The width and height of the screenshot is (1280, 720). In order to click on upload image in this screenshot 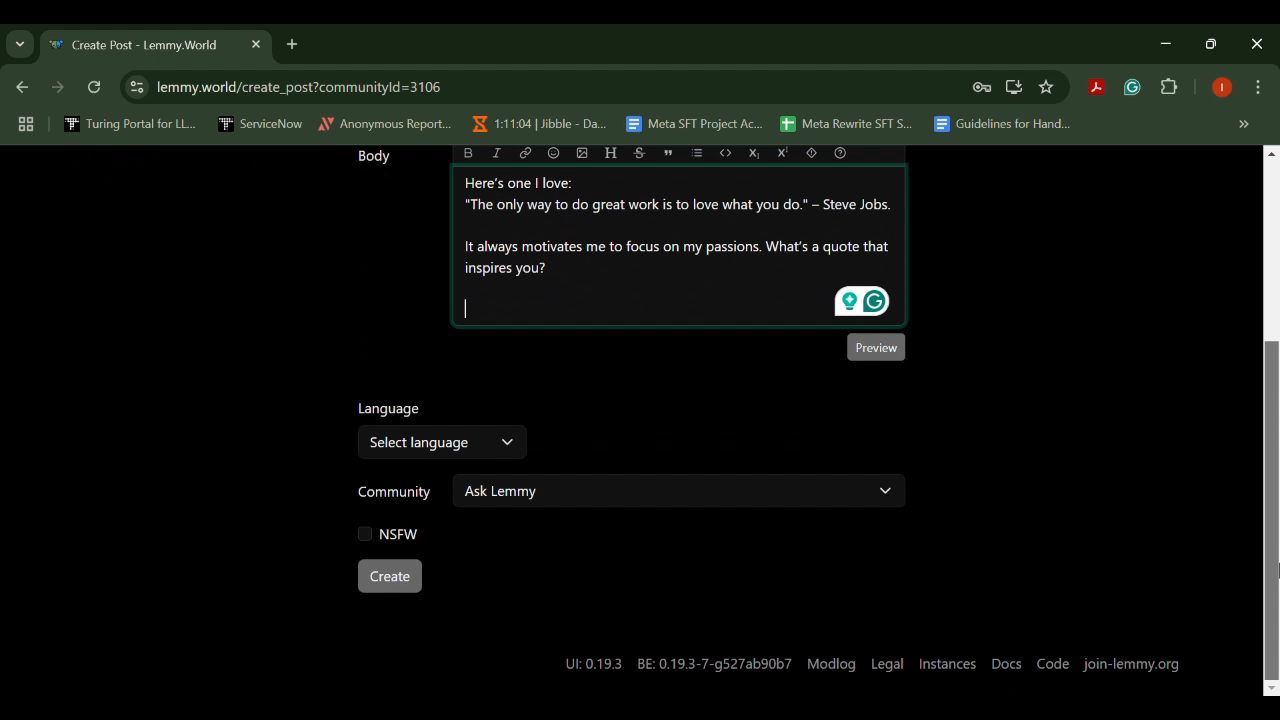, I will do `click(581, 153)`.